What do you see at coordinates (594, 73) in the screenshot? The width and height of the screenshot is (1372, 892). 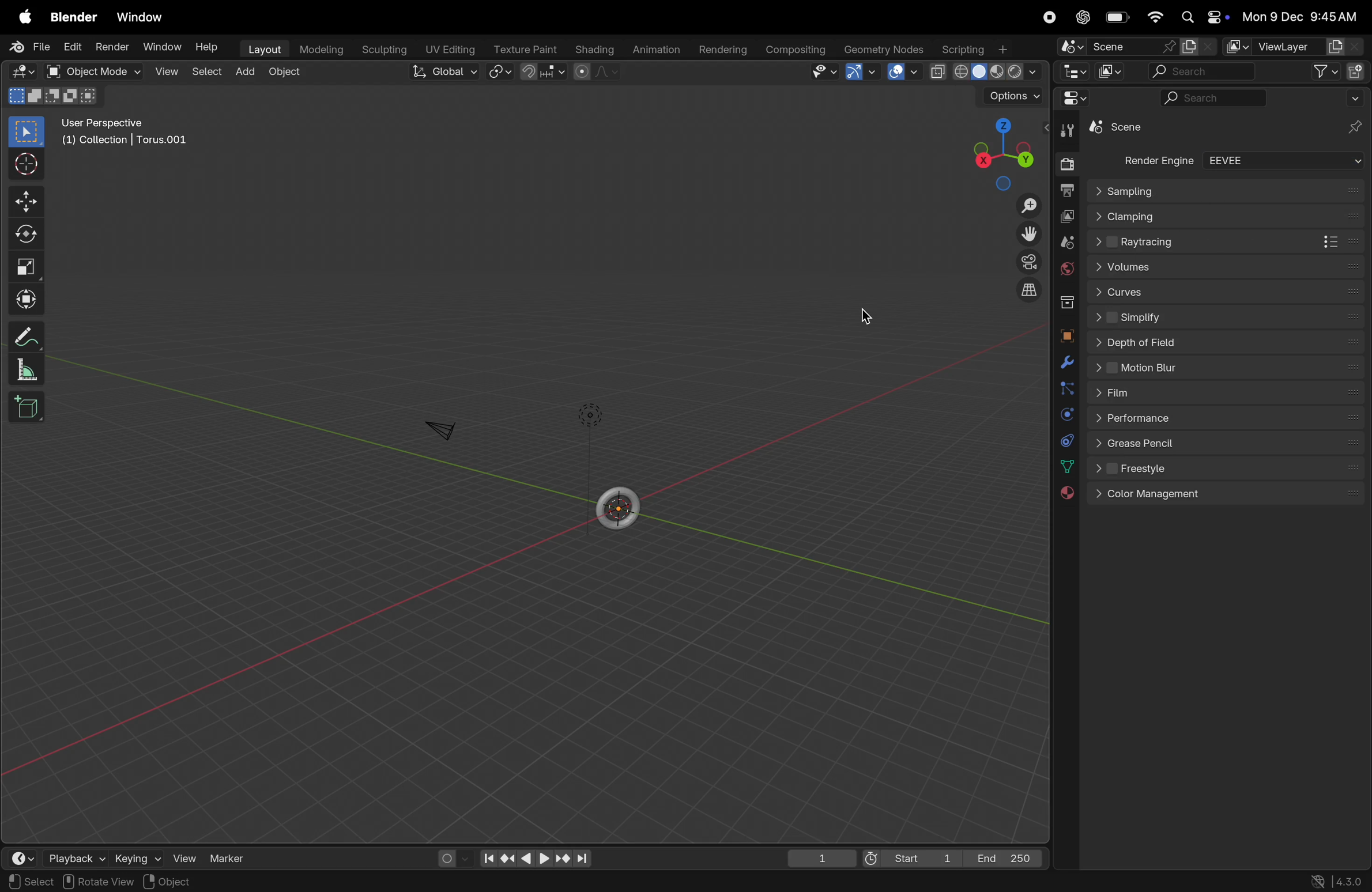 I see `proportional editing fall off` at bounding box center [594, 73].